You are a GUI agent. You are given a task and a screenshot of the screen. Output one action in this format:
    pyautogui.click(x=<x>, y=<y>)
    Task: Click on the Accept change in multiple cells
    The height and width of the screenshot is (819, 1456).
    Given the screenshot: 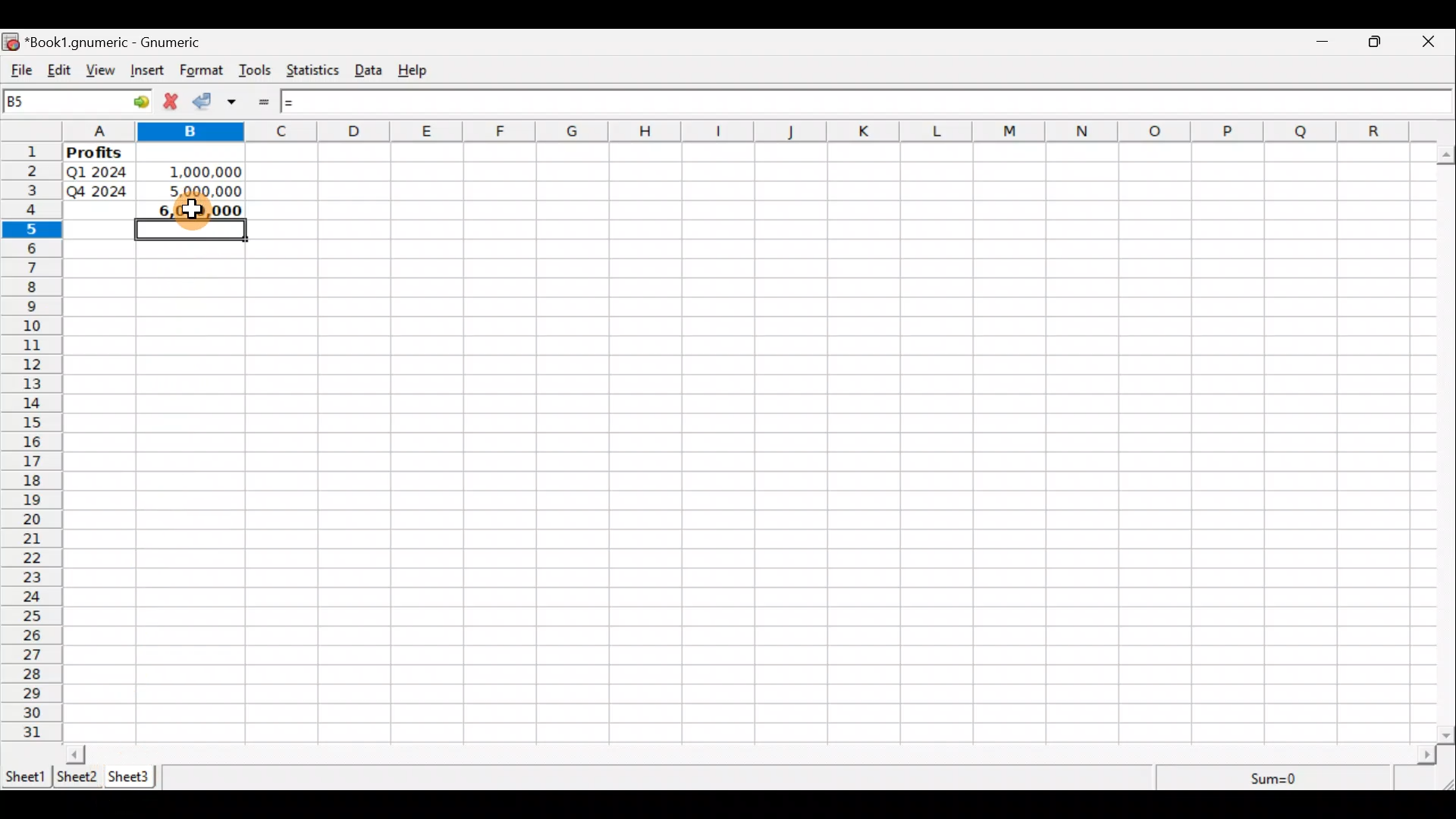 What is the action you would take?
    pyautogui.click(x=237, y=102)
    